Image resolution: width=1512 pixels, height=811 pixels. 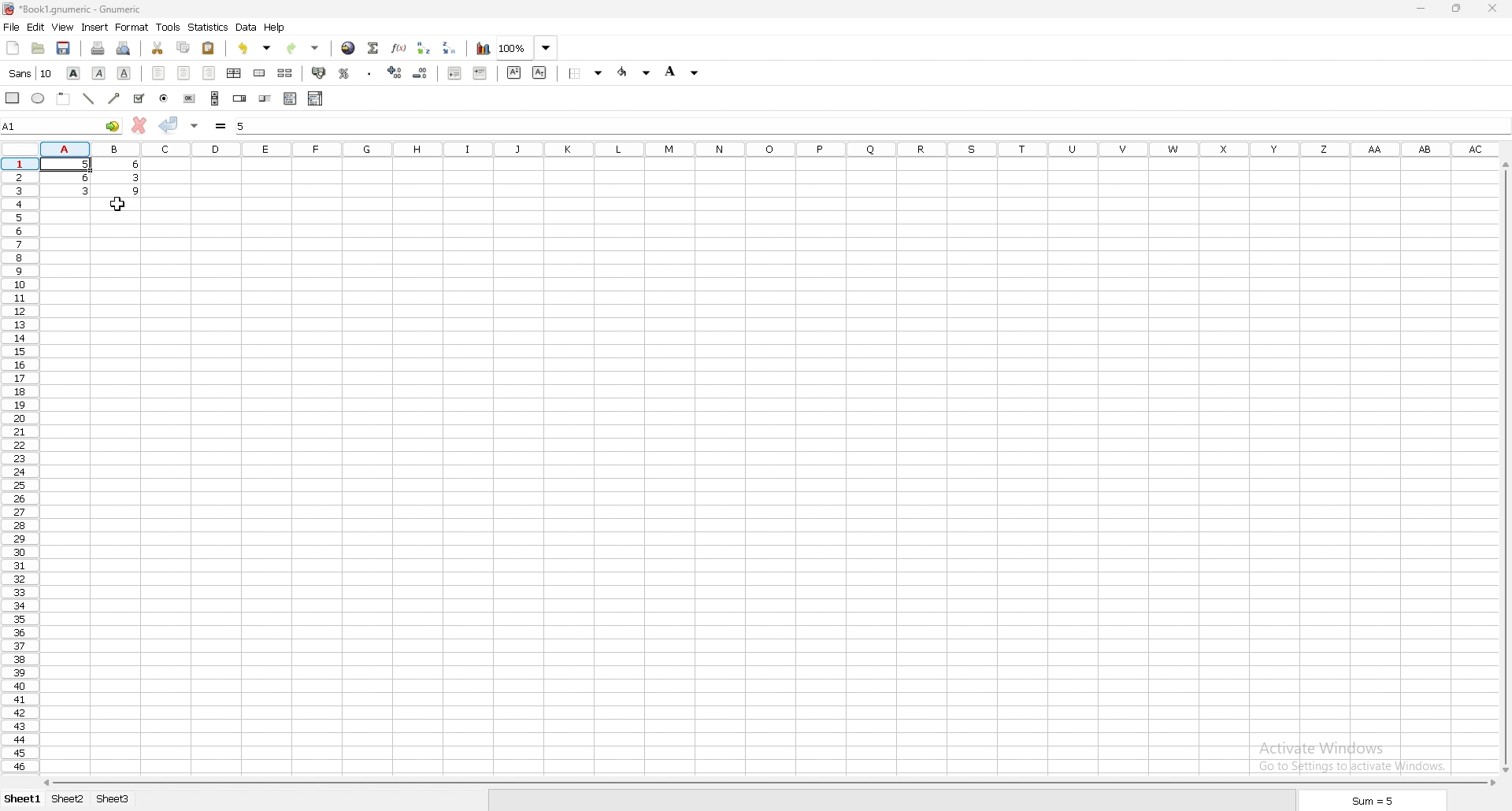 What do you see at coordinates (1509, 465) in the screenshot?
I see `scroll bar` at bounding box center [1509, 465].